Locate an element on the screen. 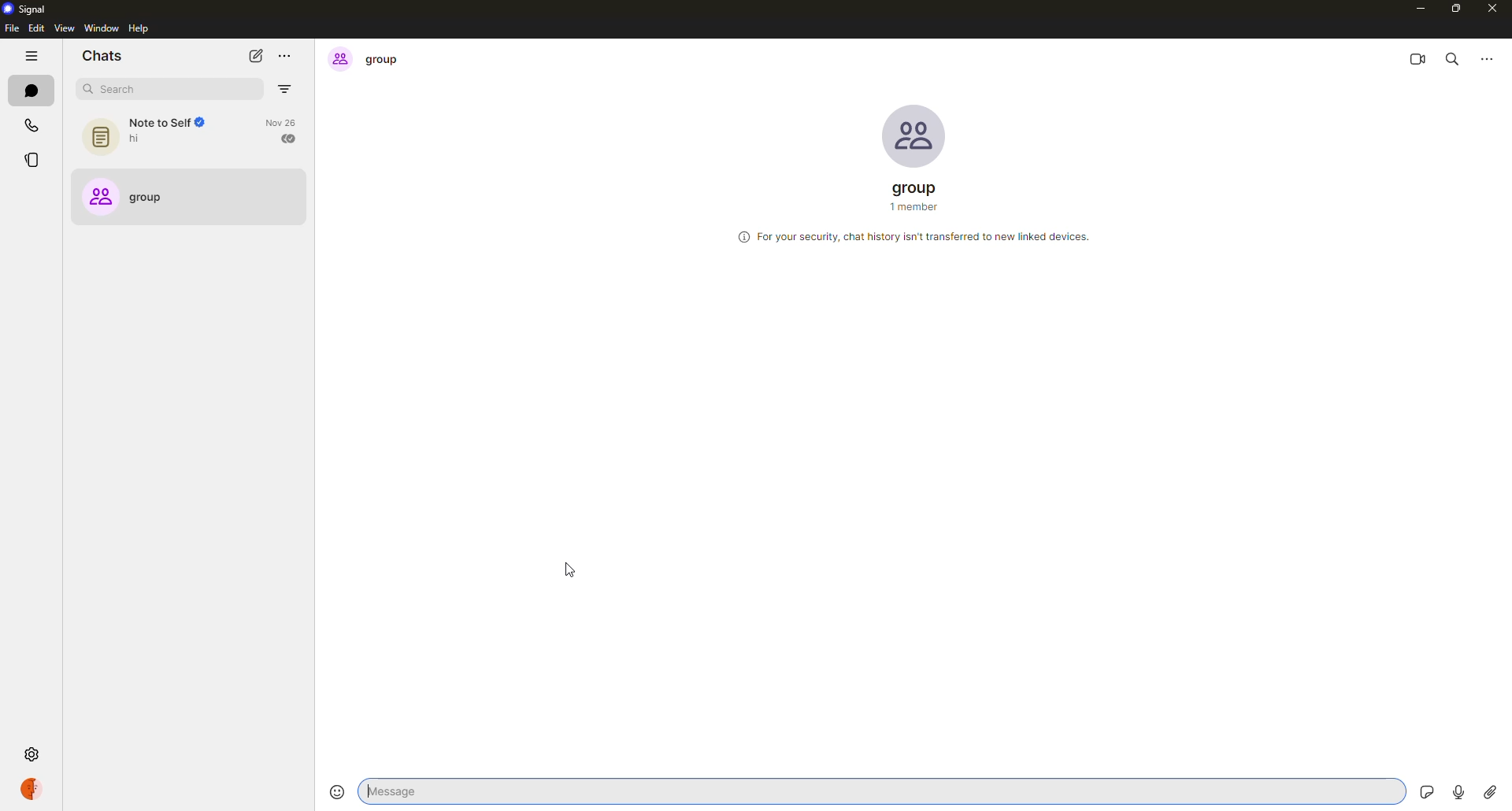 The height and width of the screenshot is (811, 1512). emoji is located at coordinates (336, 791).